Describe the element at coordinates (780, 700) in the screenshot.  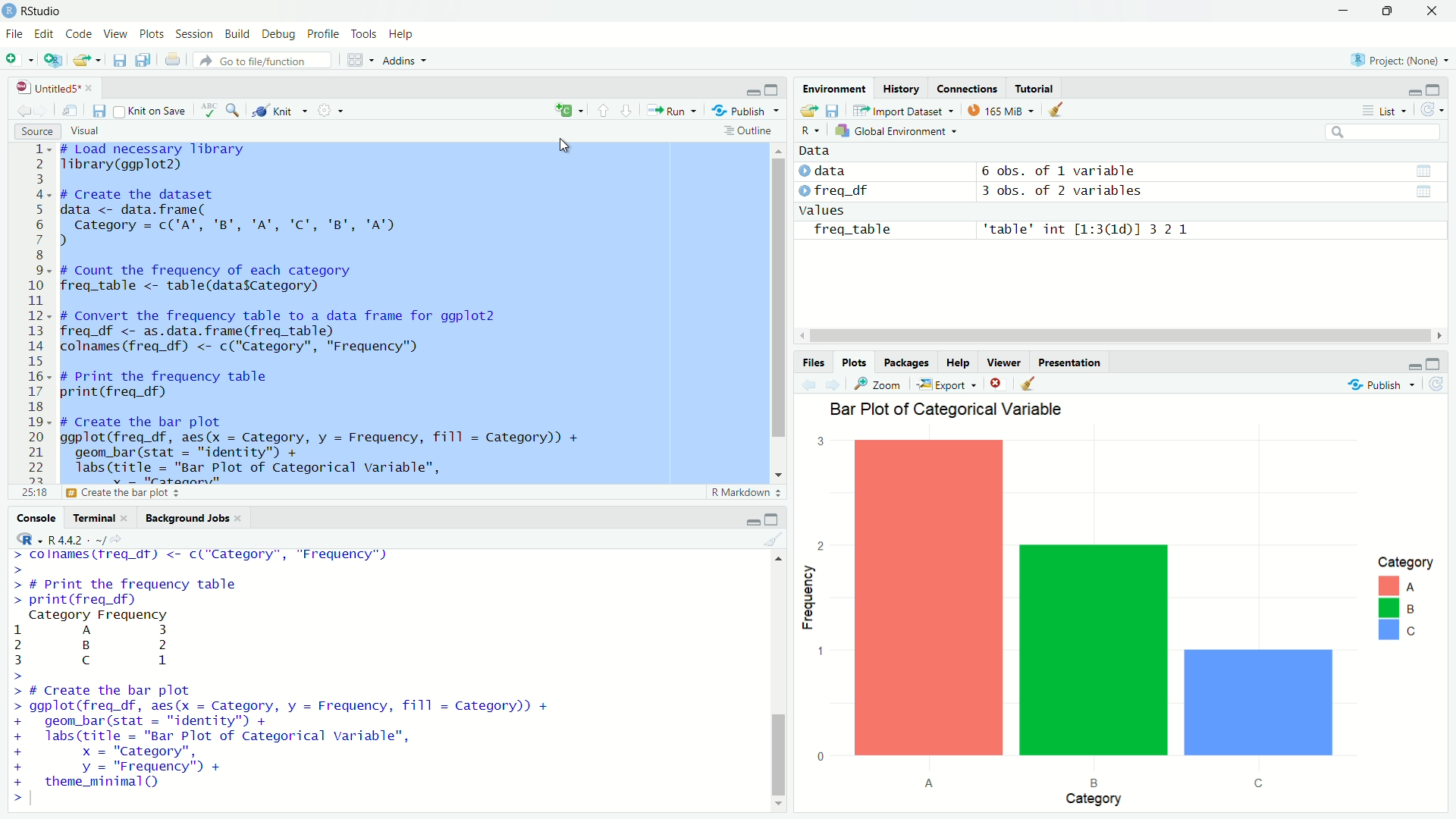
I see `vertical scrollbar` at that location.